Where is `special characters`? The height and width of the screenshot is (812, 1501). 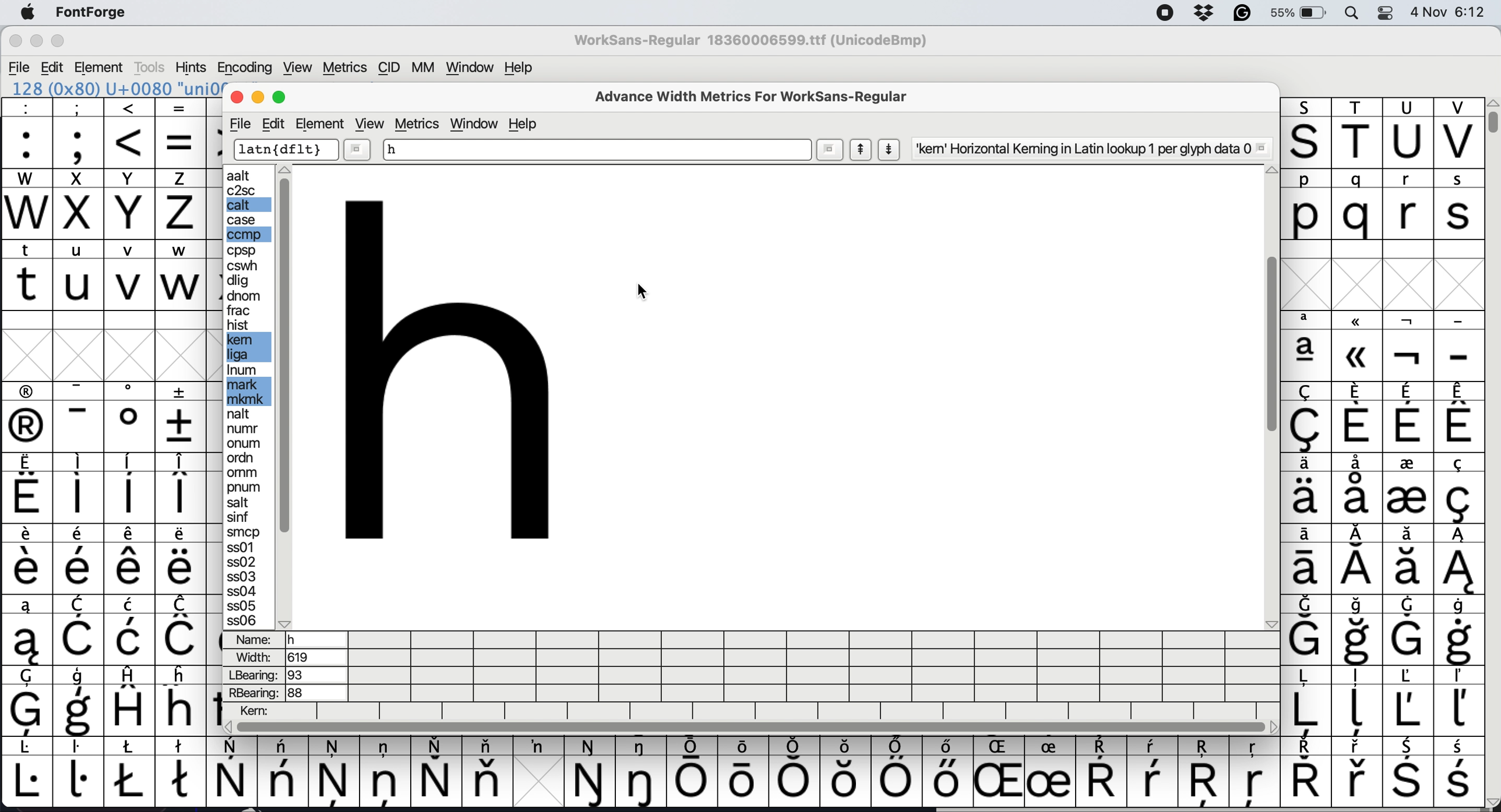 special characters is located at coordinates (103, 569).